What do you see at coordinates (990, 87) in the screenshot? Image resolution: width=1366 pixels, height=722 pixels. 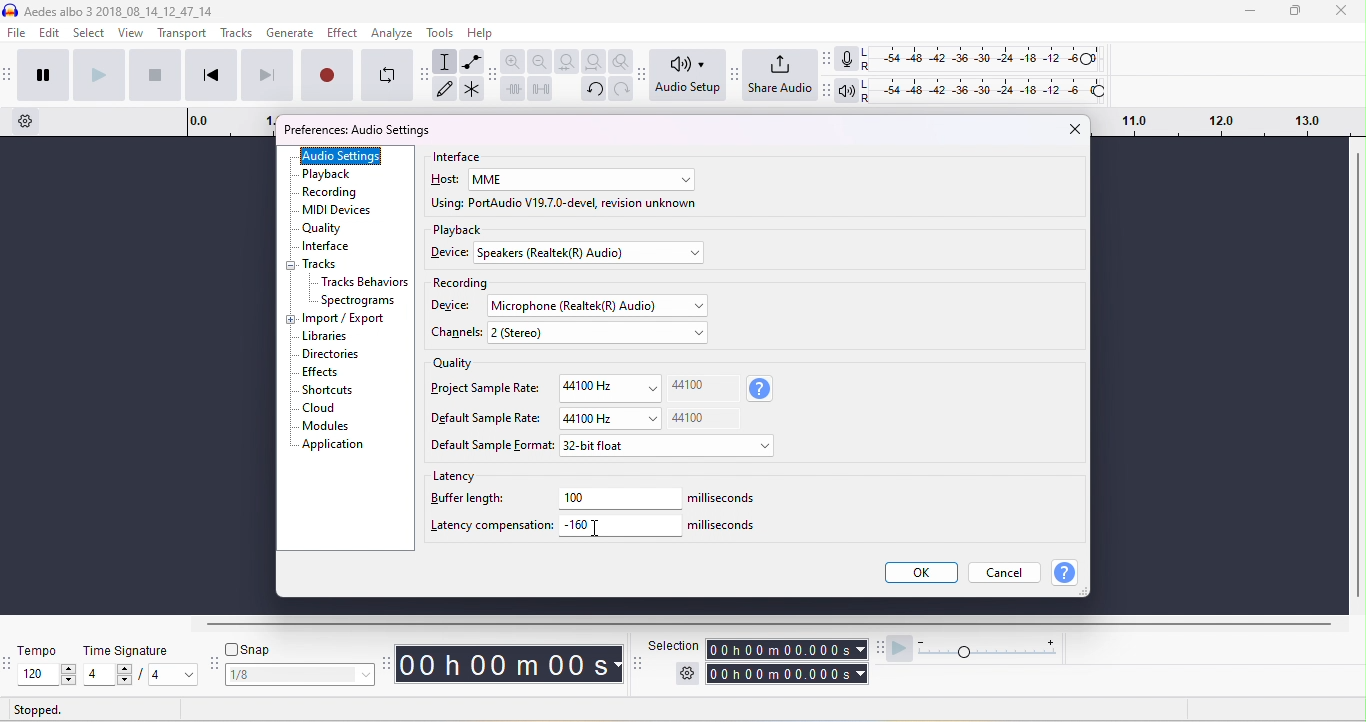 I see `playback level` at bounding box center [990, 87].